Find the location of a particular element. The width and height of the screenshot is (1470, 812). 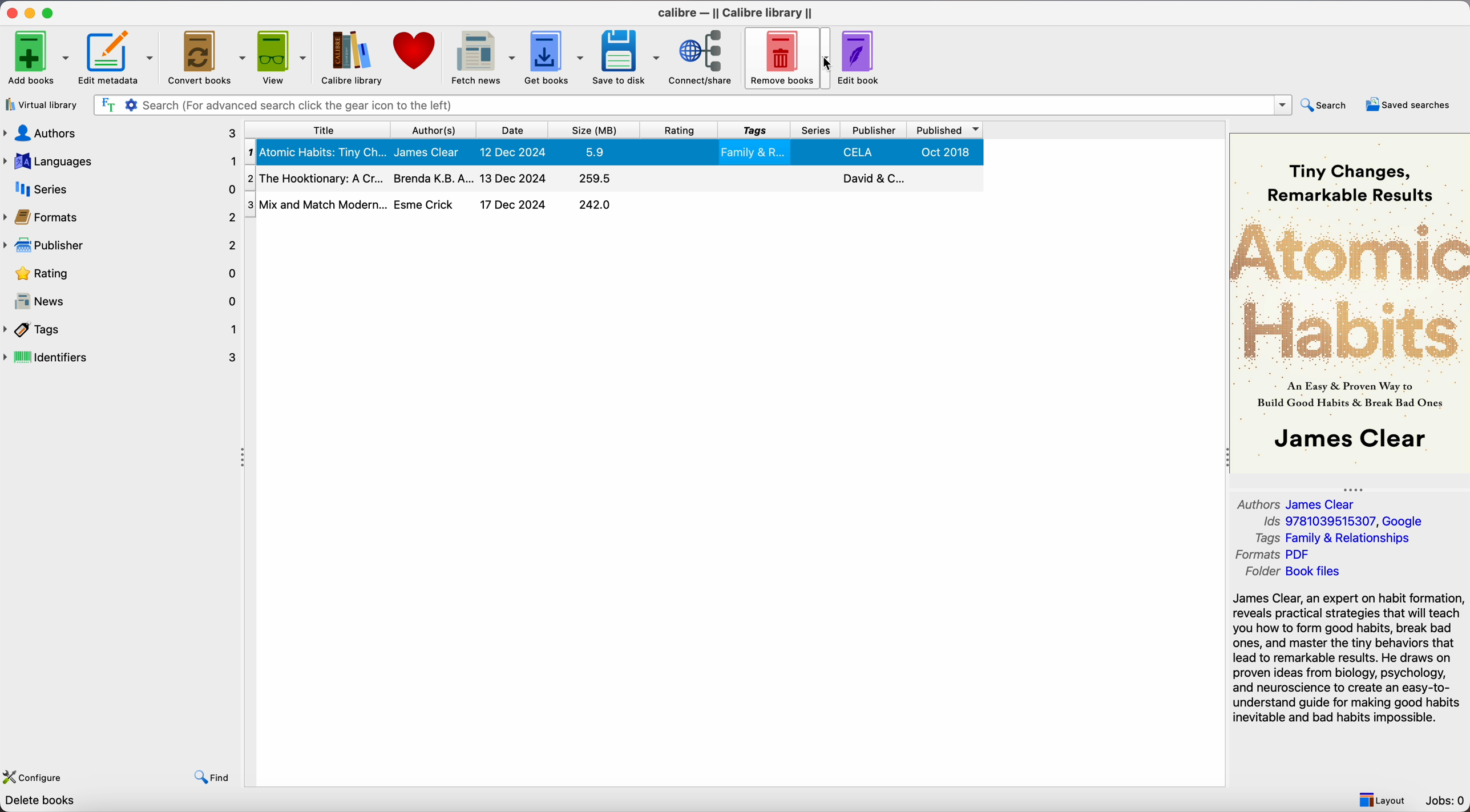

search is located at coordinates (1324, 104).